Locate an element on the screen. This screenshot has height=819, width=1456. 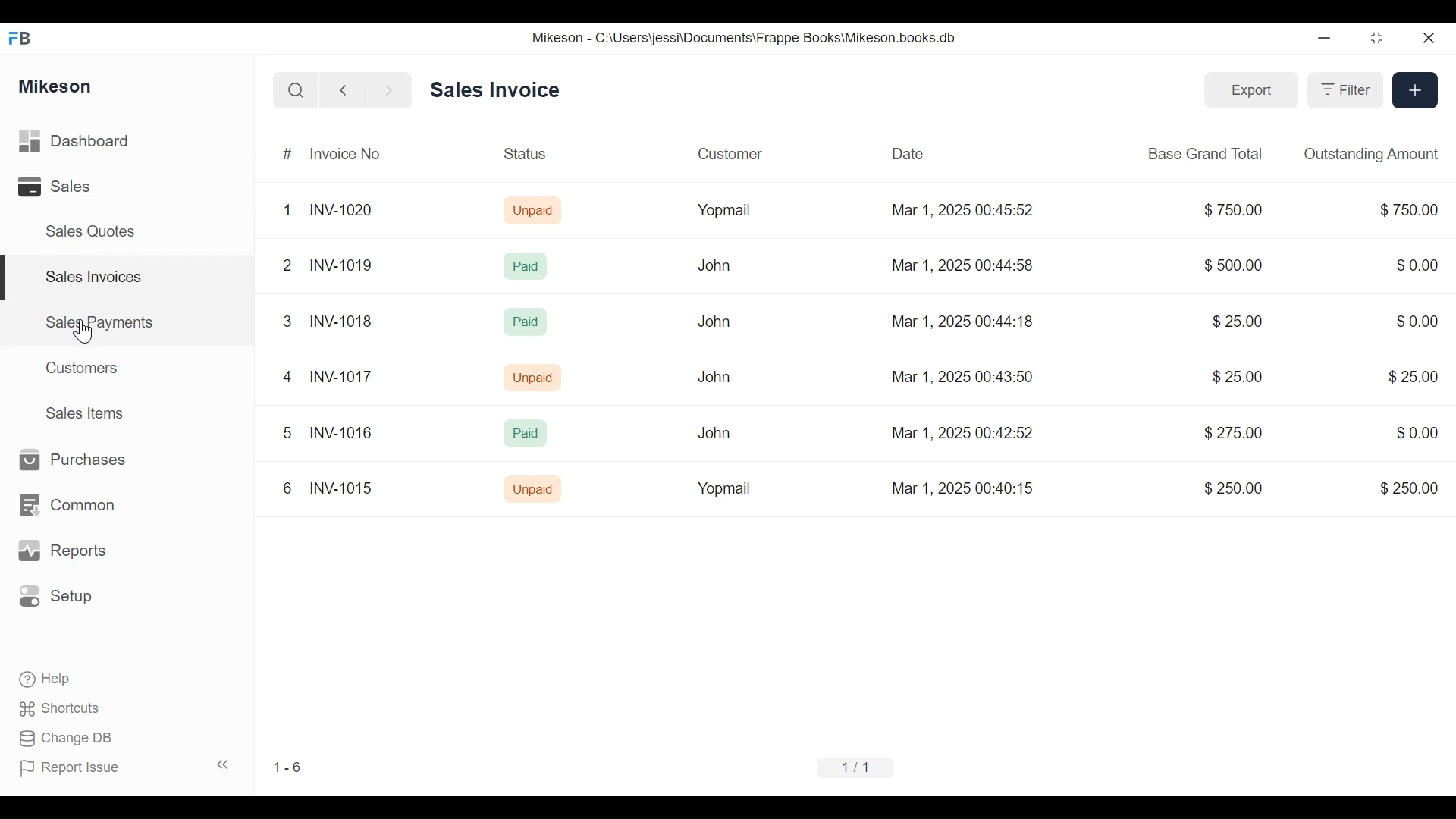
Change DB is located at coordinates (70, 739).